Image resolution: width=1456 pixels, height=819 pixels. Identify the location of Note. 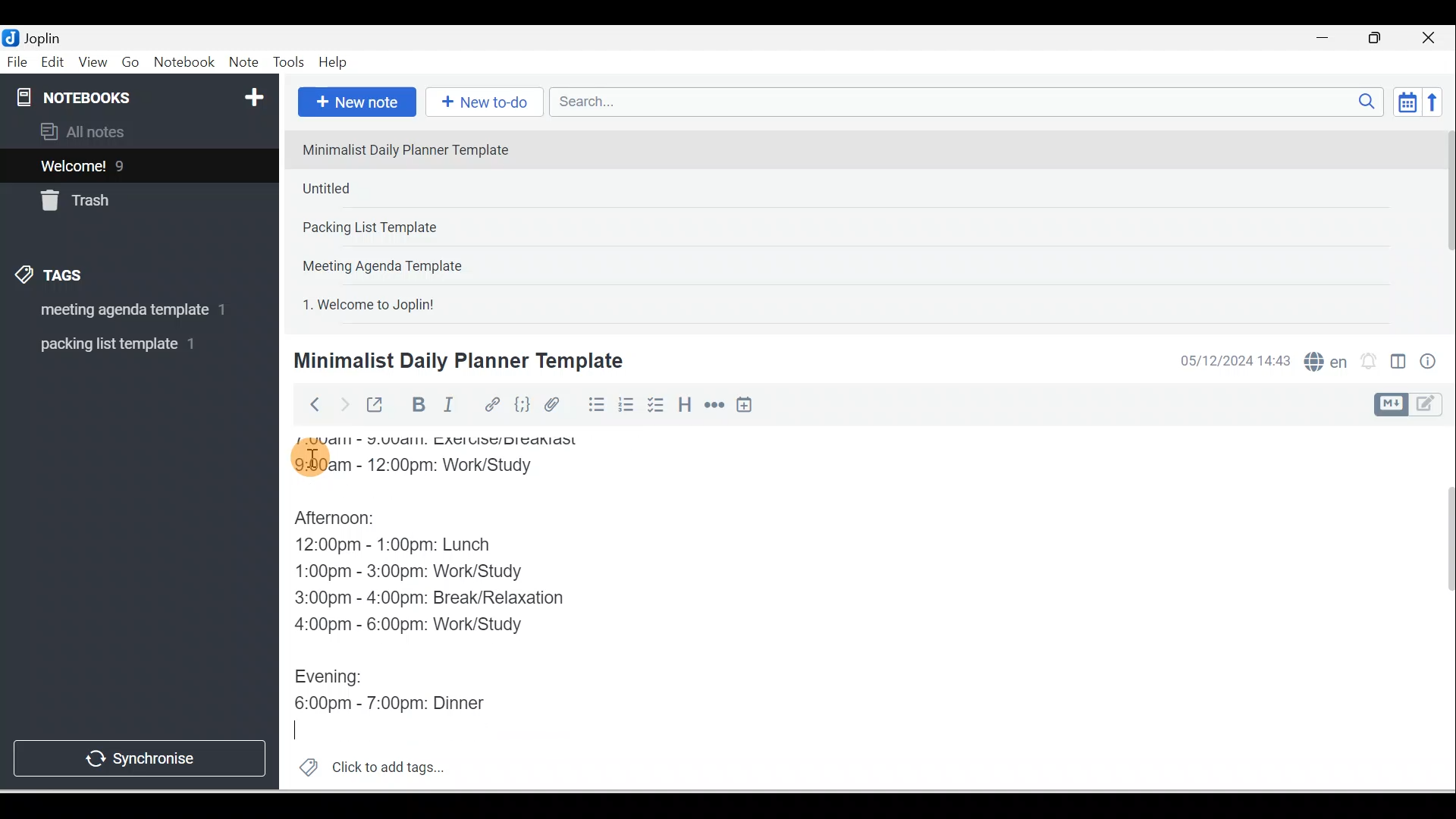
(242, 63).